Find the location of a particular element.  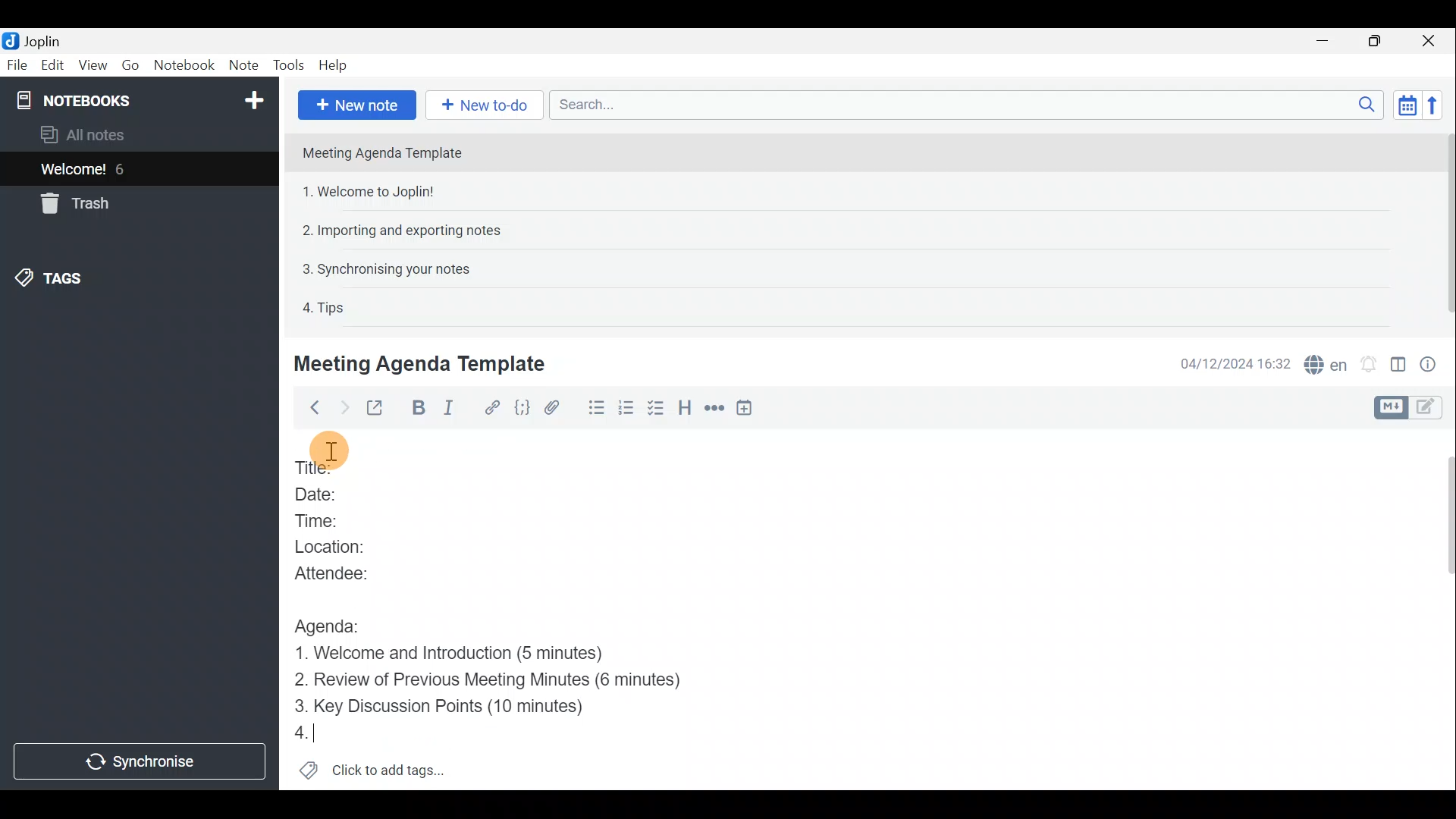

1. Welcome and Introduction (5 minutes) is located at coordinates (475, 654).